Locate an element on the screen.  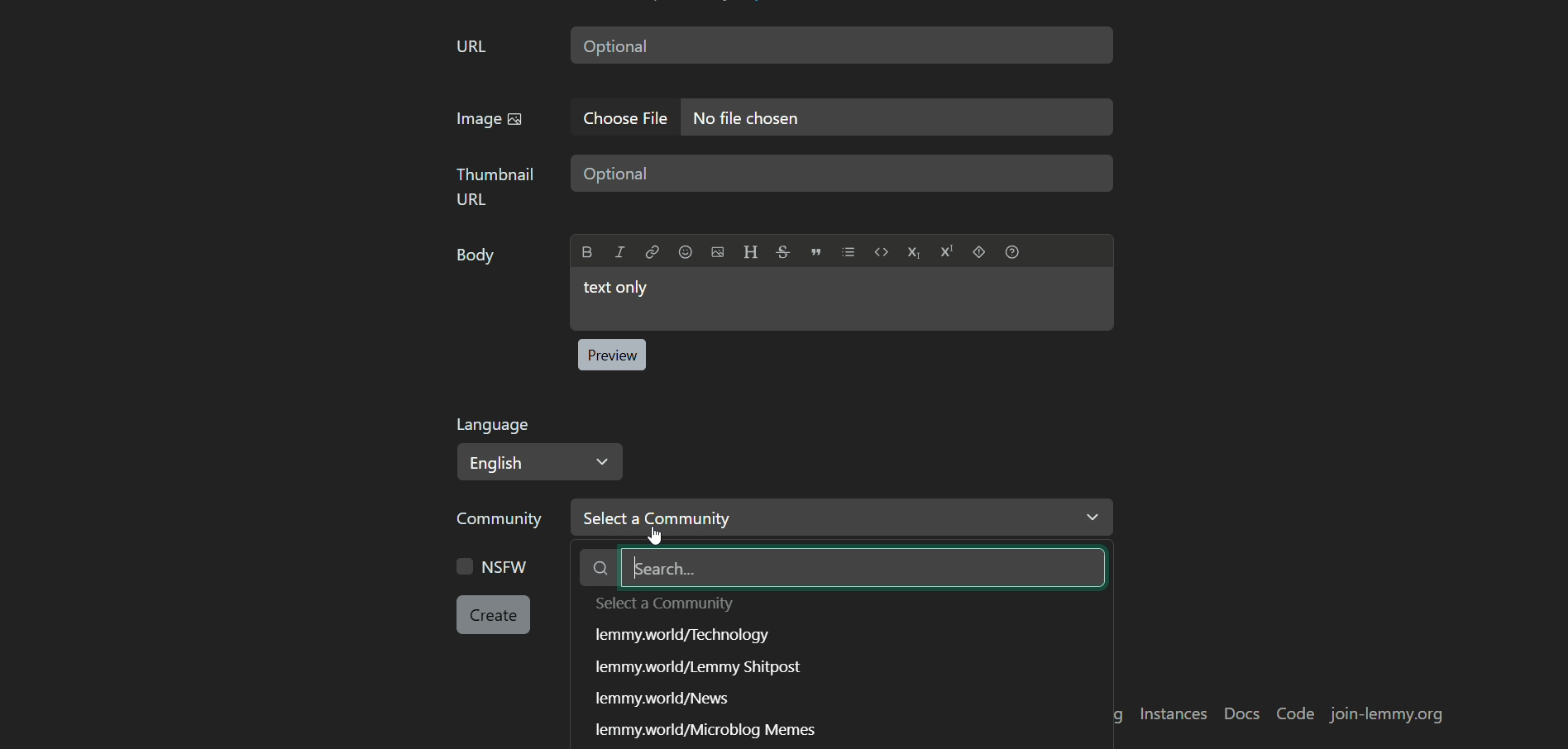
text is located at coordinates (715, 728).